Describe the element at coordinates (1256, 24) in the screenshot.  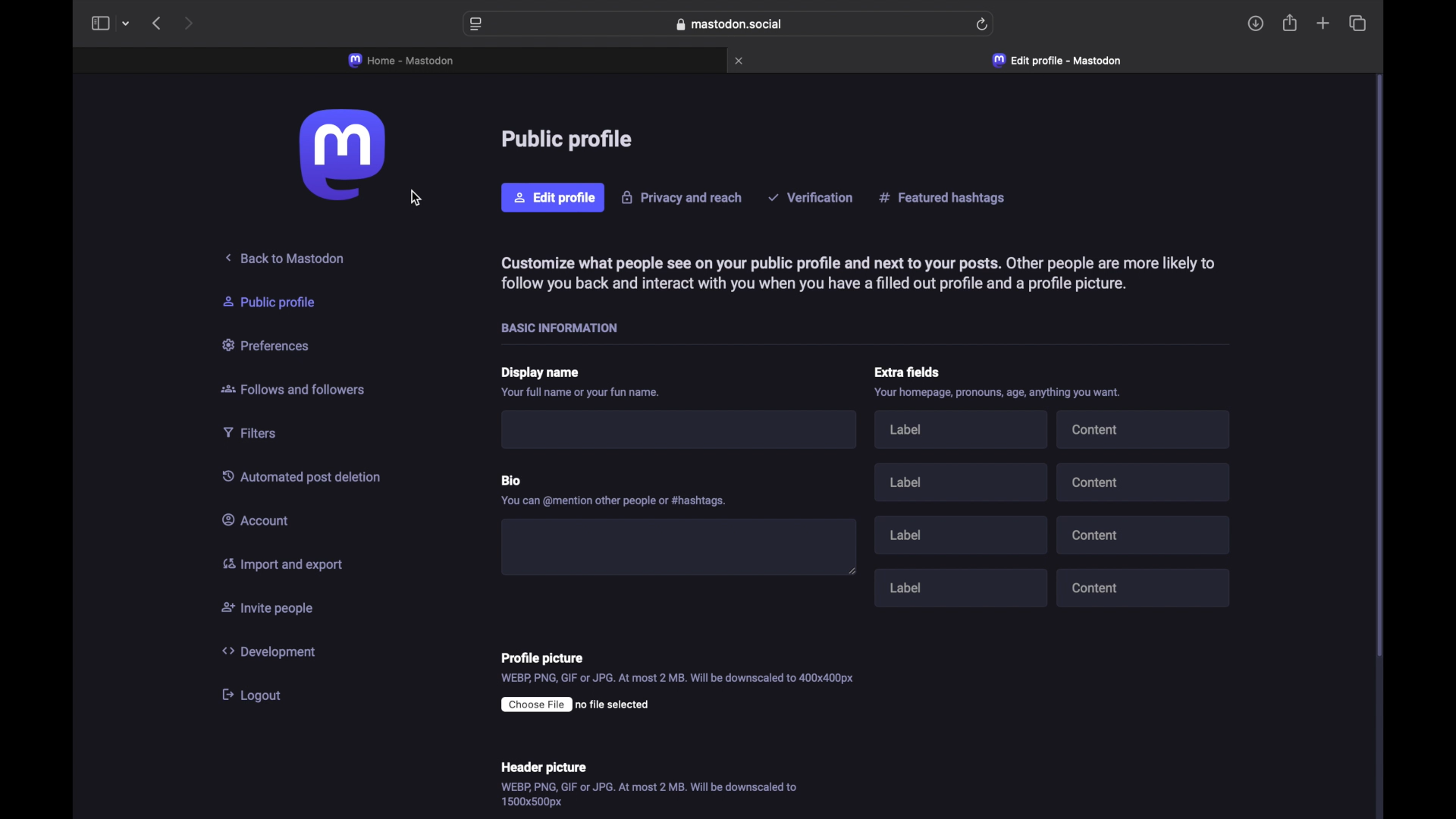
I see `downloads` at that location.